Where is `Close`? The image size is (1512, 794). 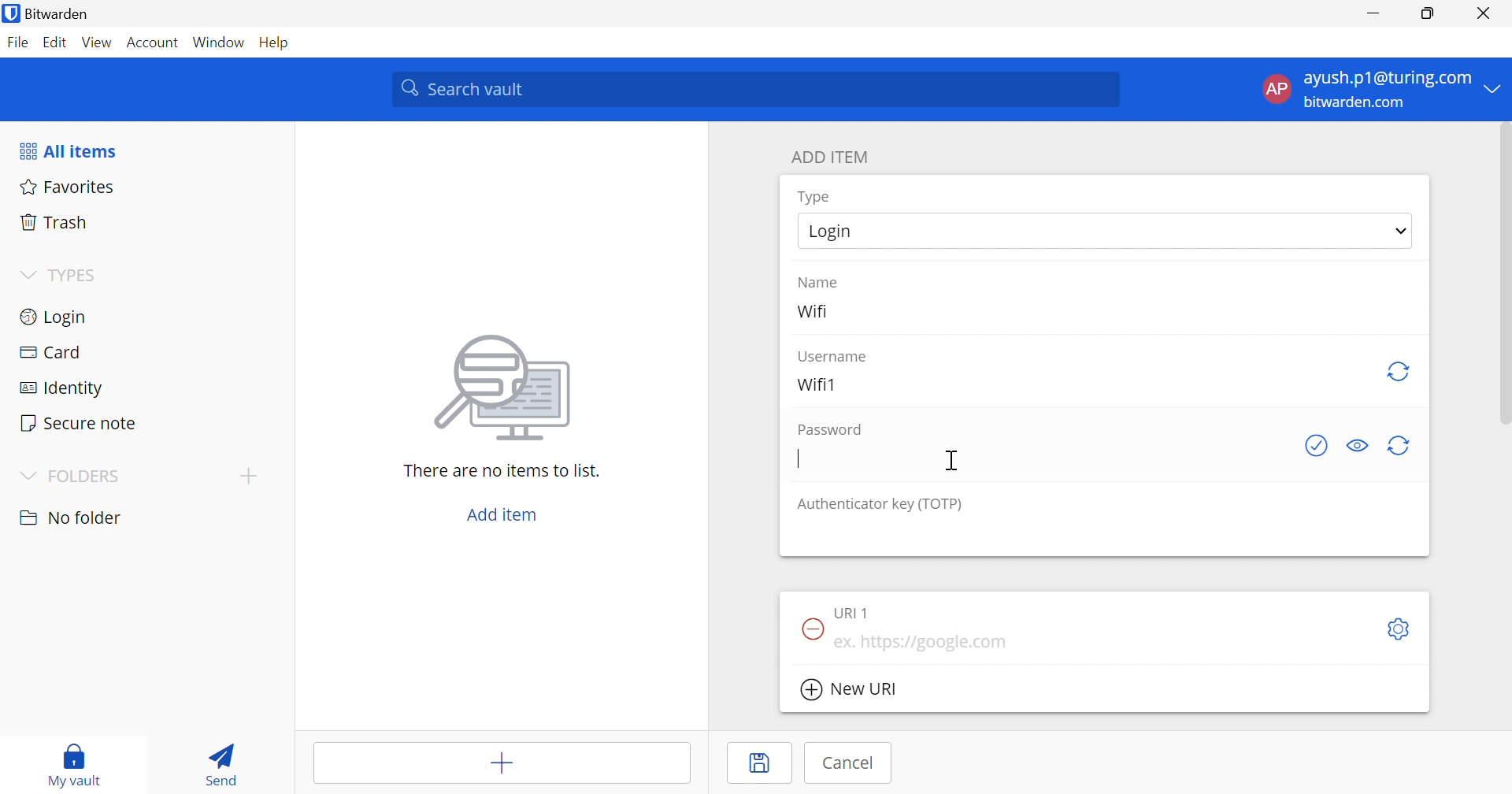 Close is located at coordinates (1487, 13).